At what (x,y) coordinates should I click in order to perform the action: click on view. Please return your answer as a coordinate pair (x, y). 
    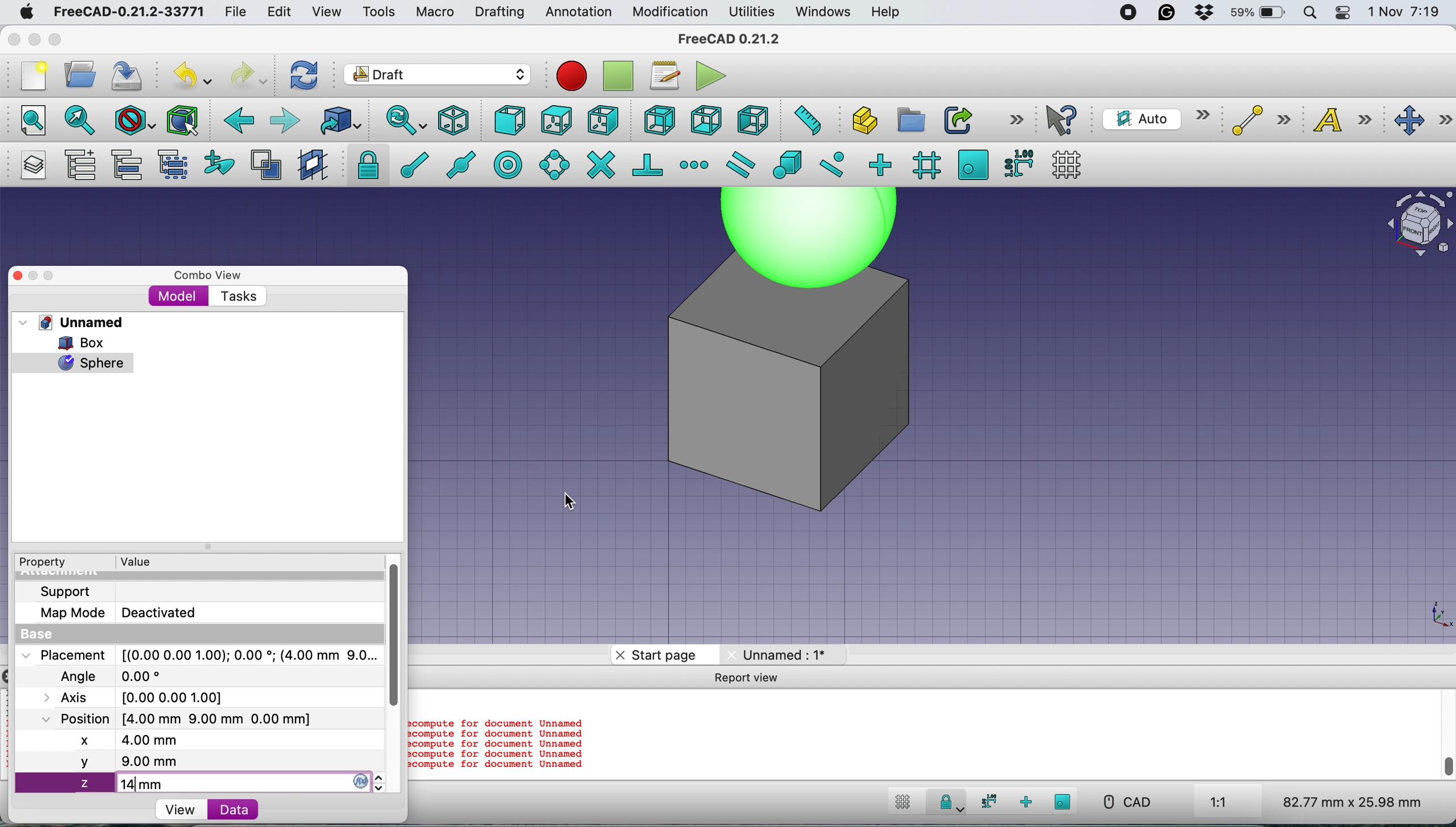
    Looking at the image, I should click on (180, 810).